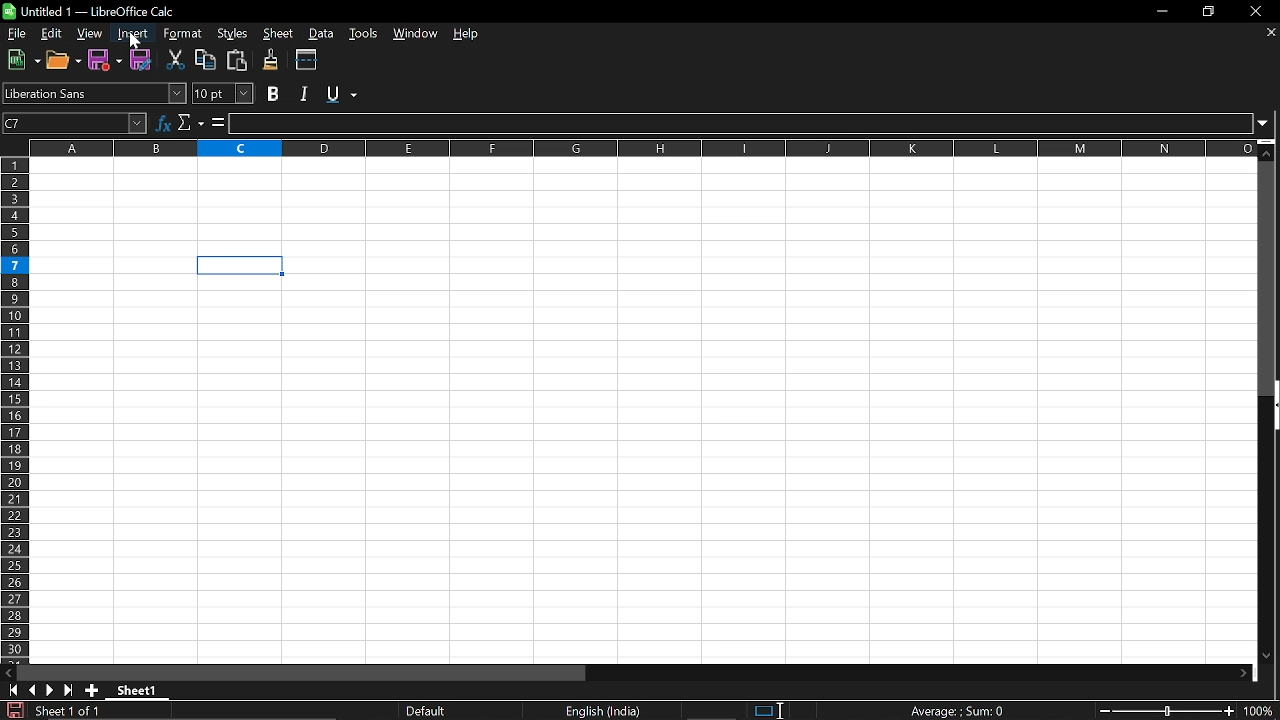 The width and height of the screenshot is (1280, 720). I want to click on Close document, so click(1272, 32).